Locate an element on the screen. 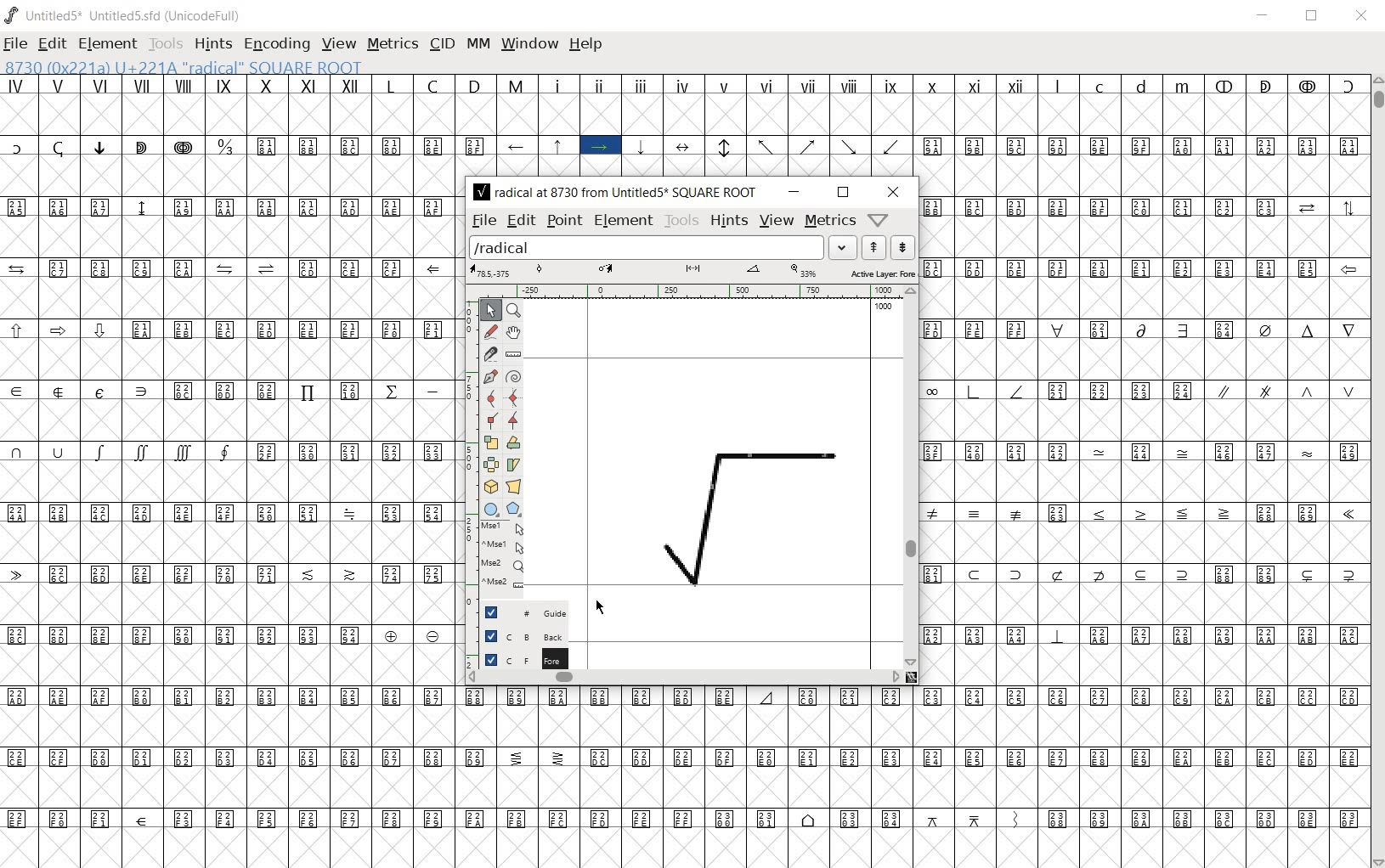 The width and height of the screenshot is (1385, 868). 8730 (0x221a) U+221A "radical" SQUARE ROOT is located at coordinates (226, 67).